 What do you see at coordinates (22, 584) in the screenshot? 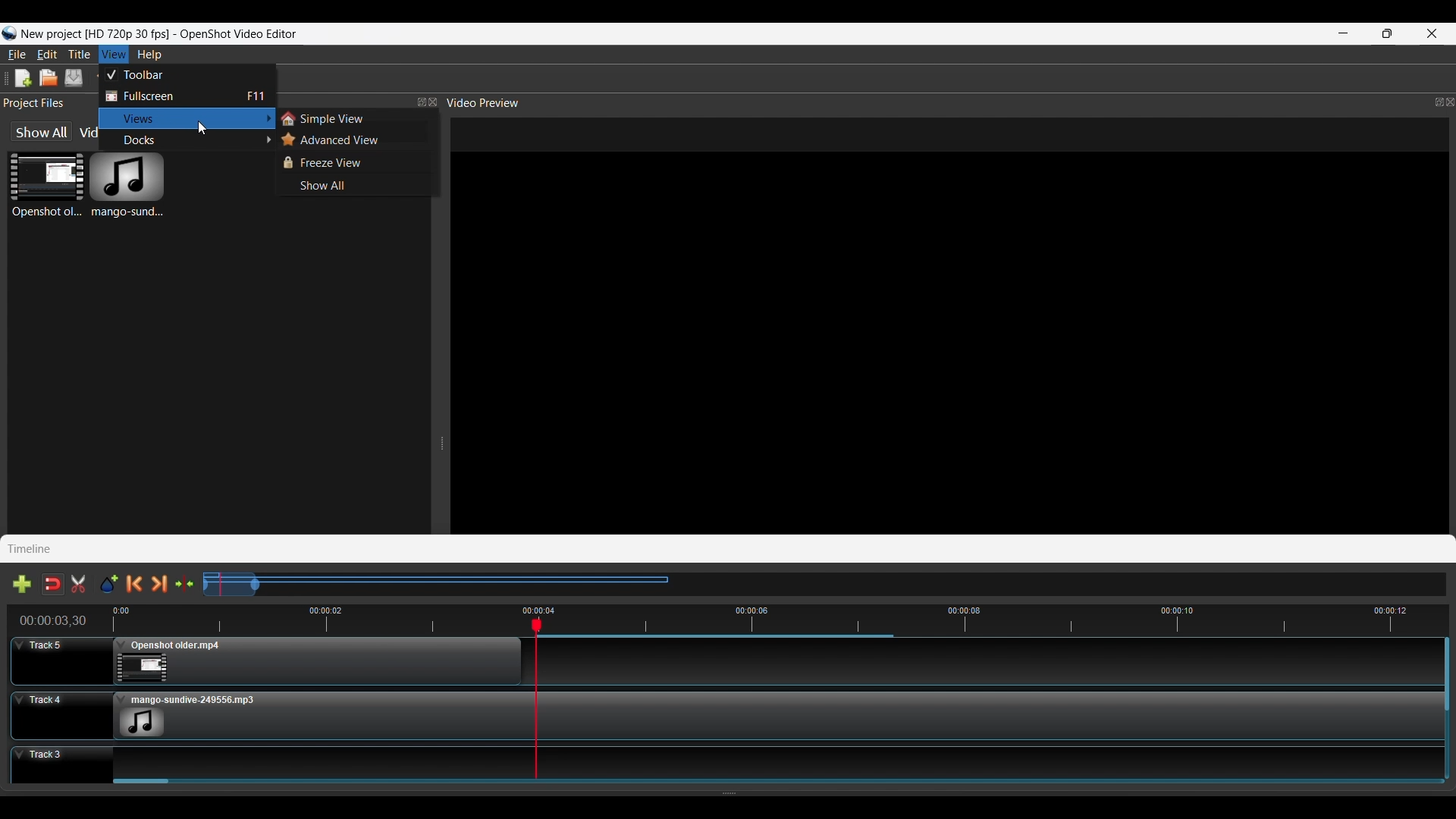
I see `Add Track` at bounding box center [22, 584].